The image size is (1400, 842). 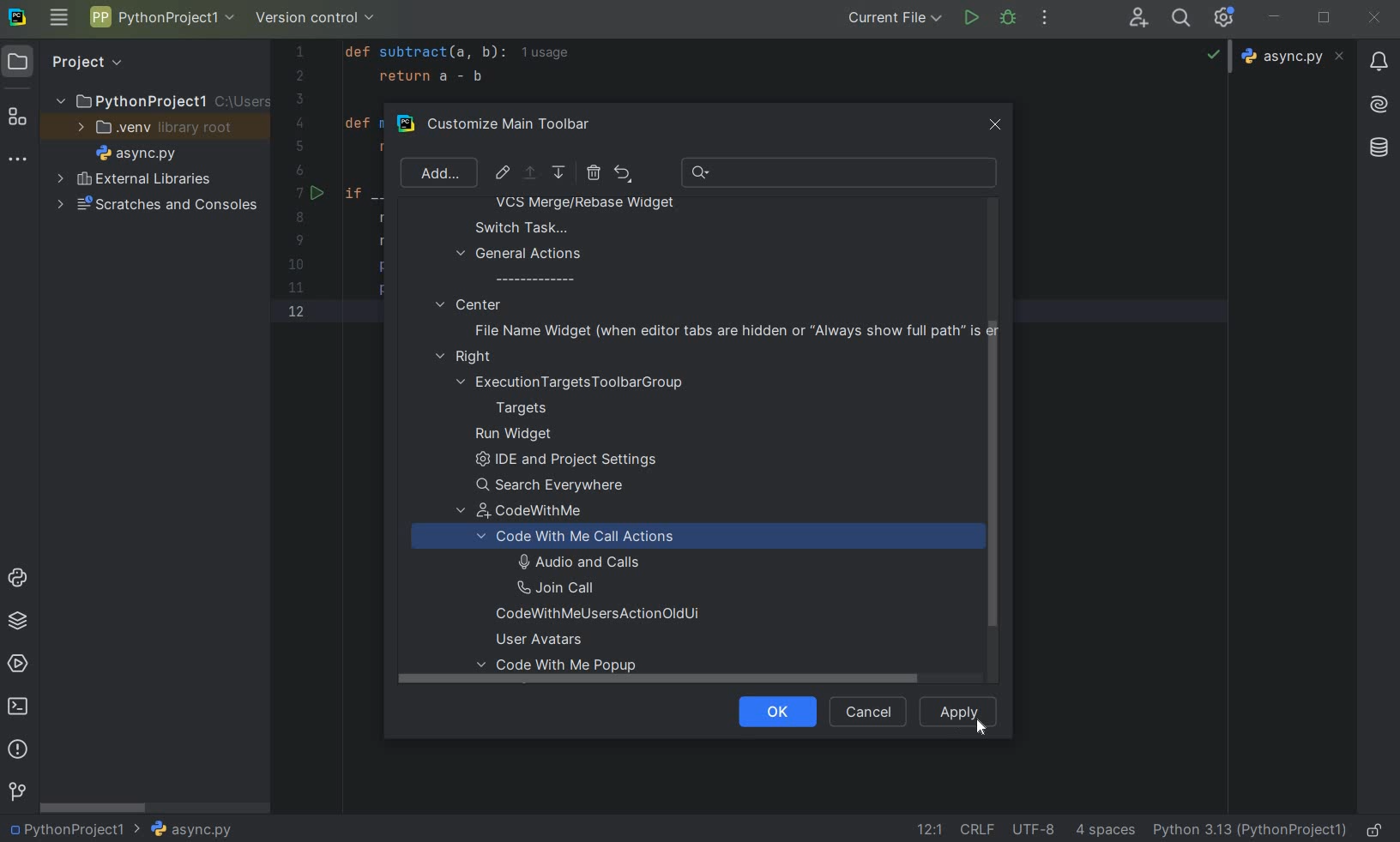 What do you see at coordinates (16, 791) in the screenshot?
I see `VERSION CONTROL` at bounding box center [16, 791].